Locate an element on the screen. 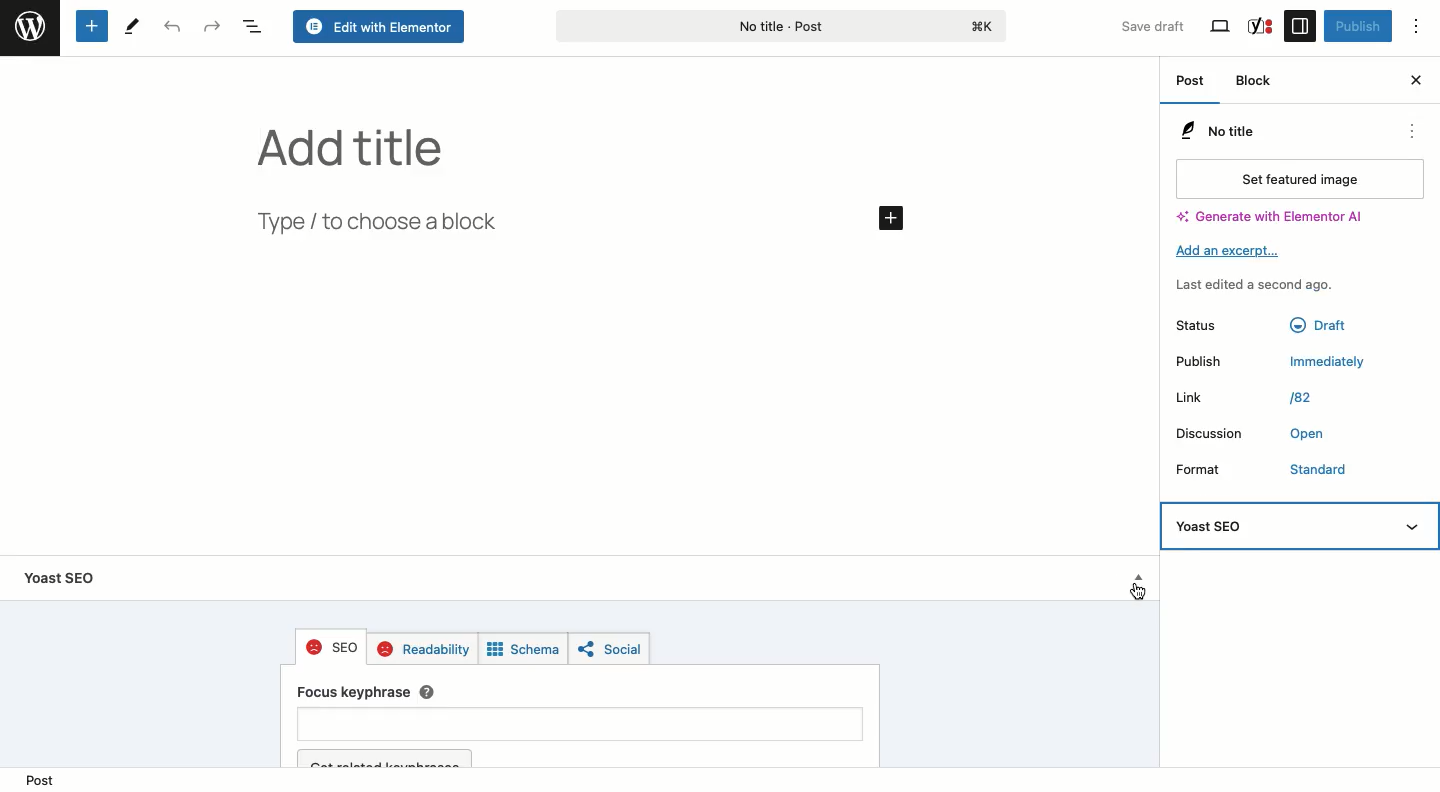 The height and width of the screenshot is (792, 1440). Block is located at coordinates (1258, 83).